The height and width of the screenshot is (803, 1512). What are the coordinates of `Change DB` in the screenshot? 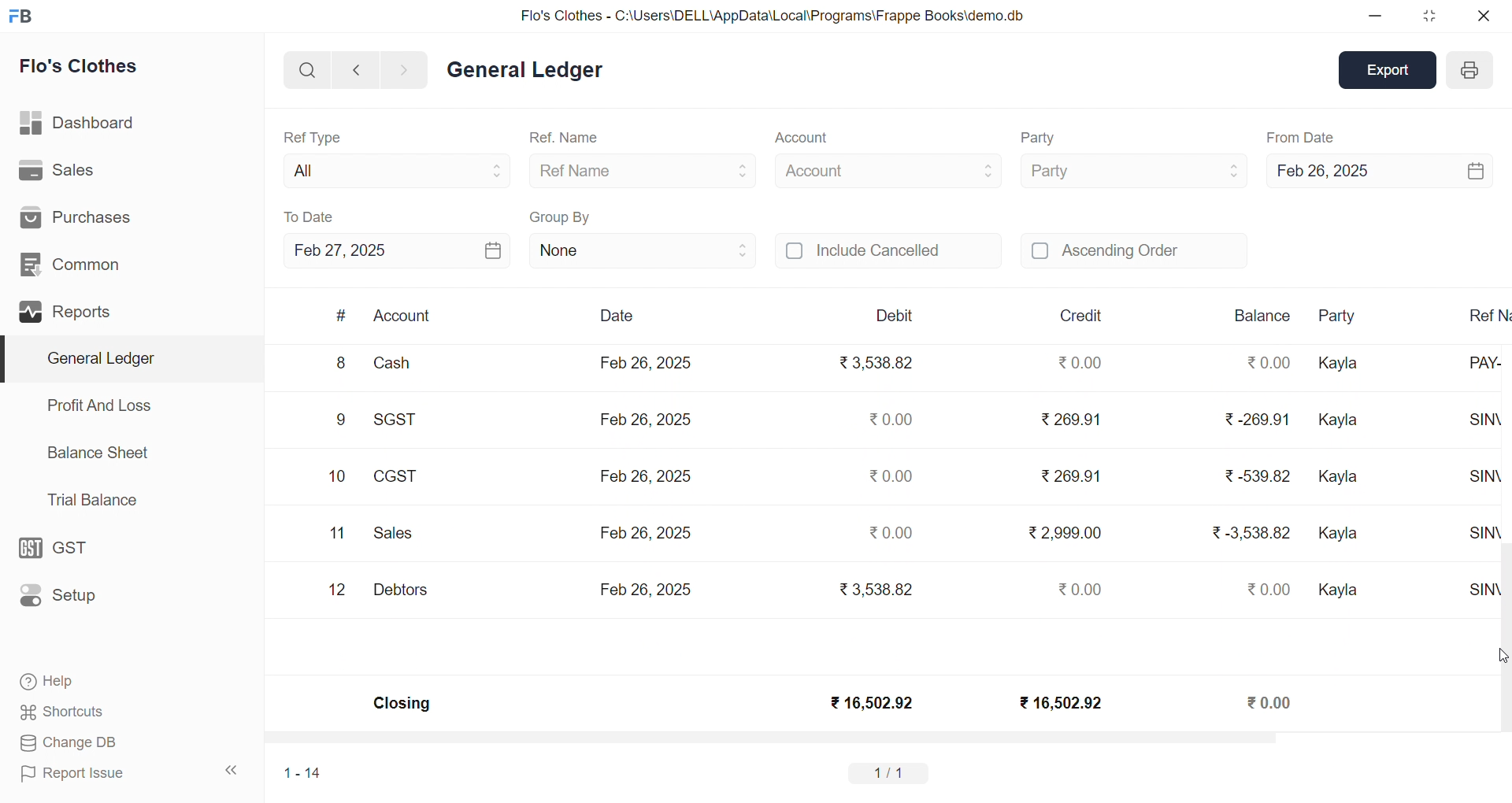 It's located at (66, 742).